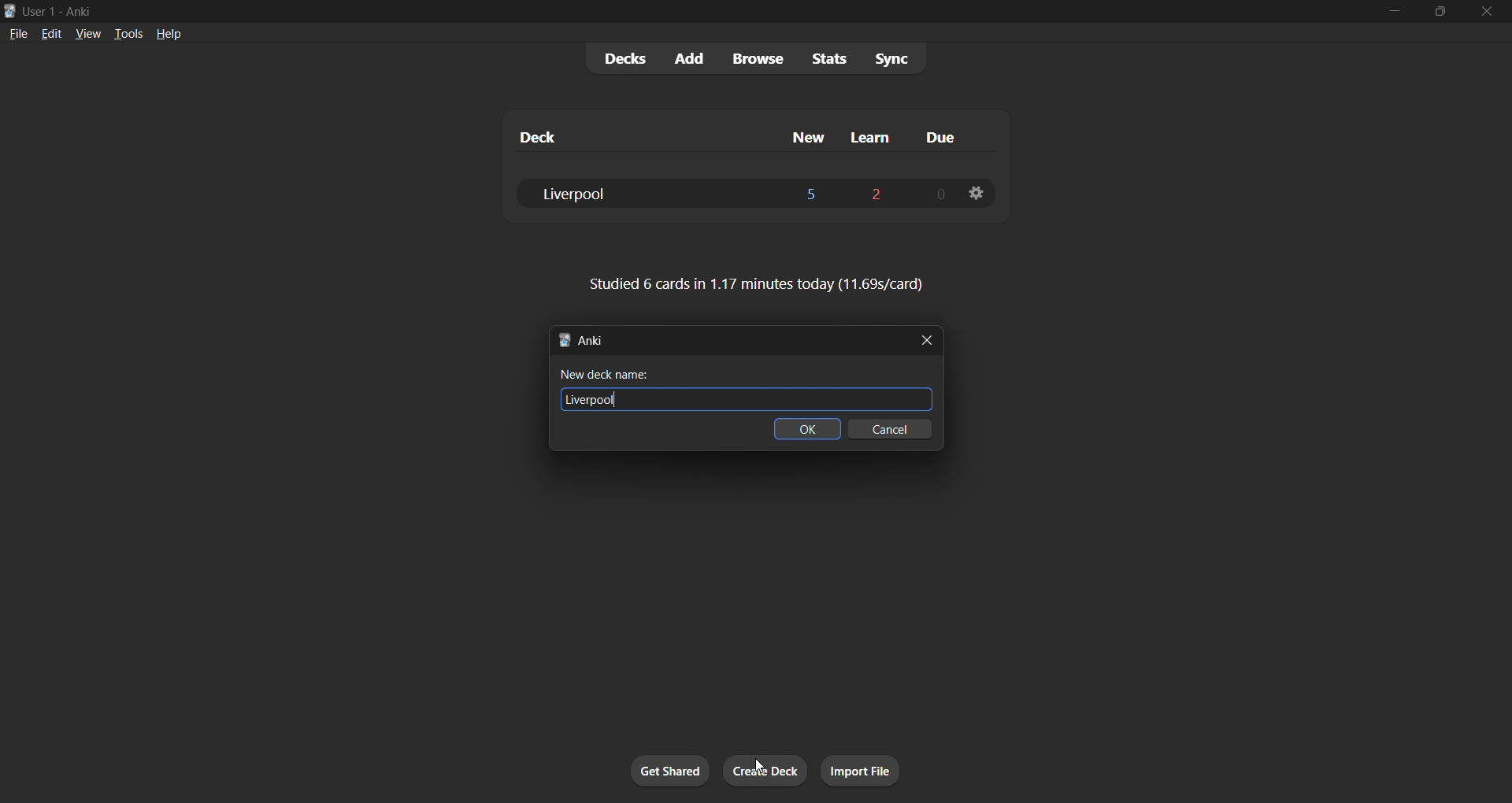 The width and height of the screenshot is (1512, 803). What do you see at coordinates (1484, 13) in the screenshot?
I see `close` at bounding box center [1484, 13].